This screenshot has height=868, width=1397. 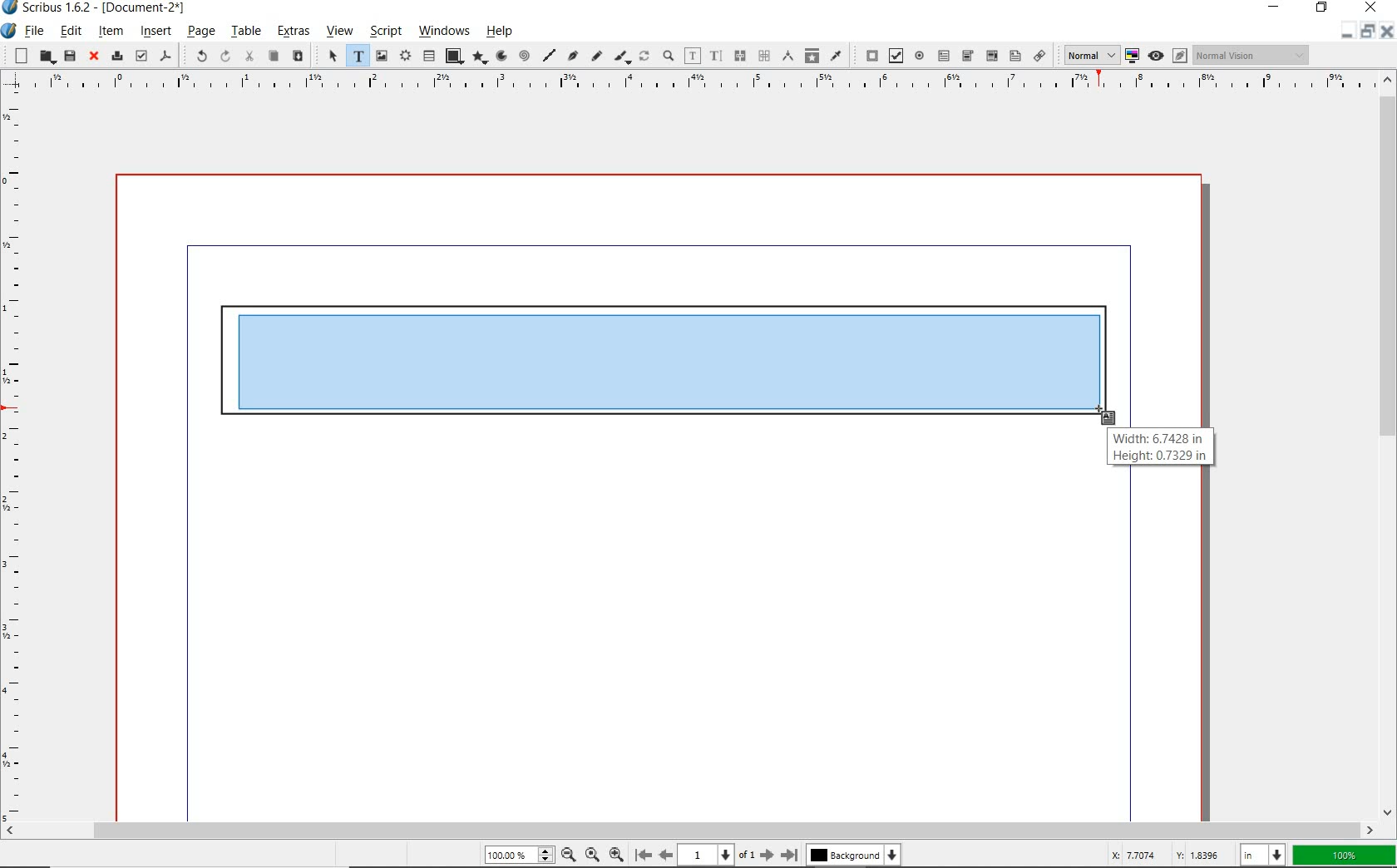 What do you see at coordinates (768, 855) in the screenshot?
I see `move to next` at bounding box center [768, 855].